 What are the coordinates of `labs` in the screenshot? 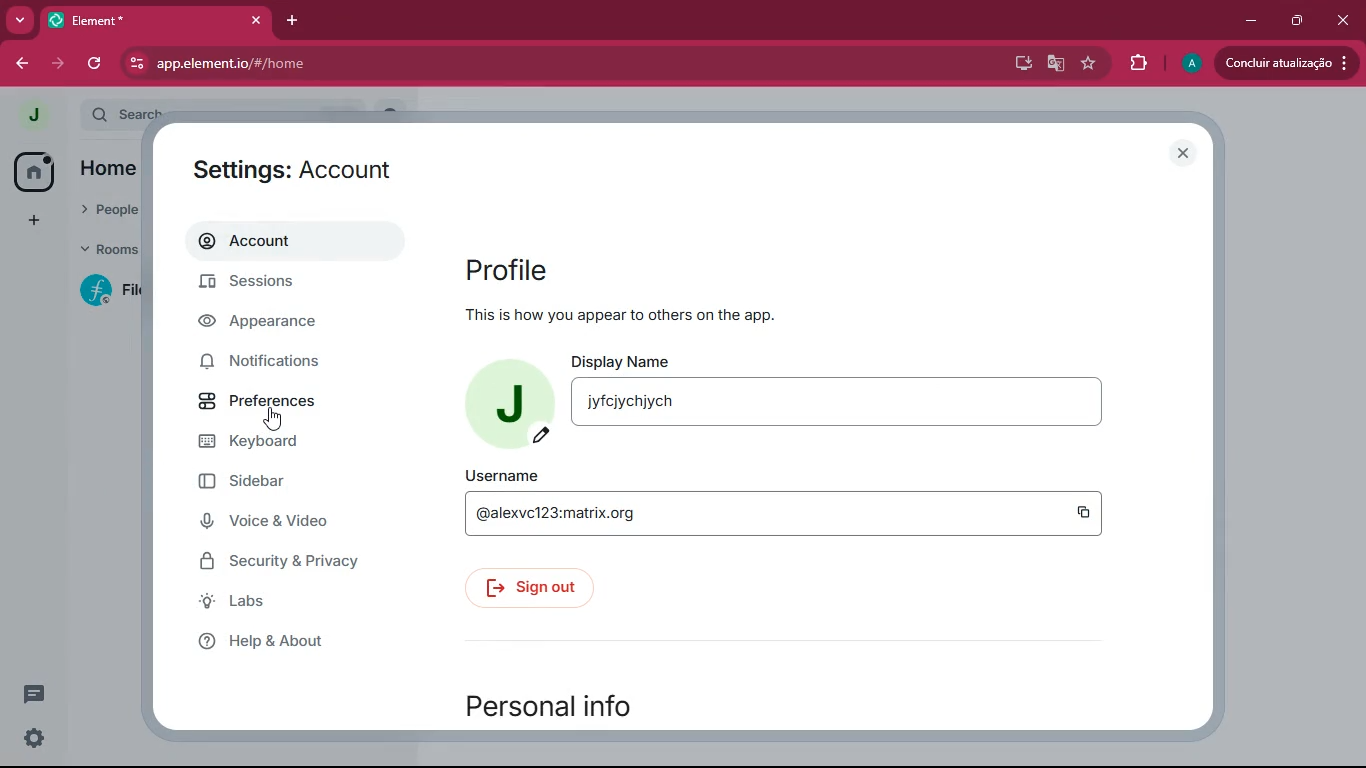 It's located at (276, 602).